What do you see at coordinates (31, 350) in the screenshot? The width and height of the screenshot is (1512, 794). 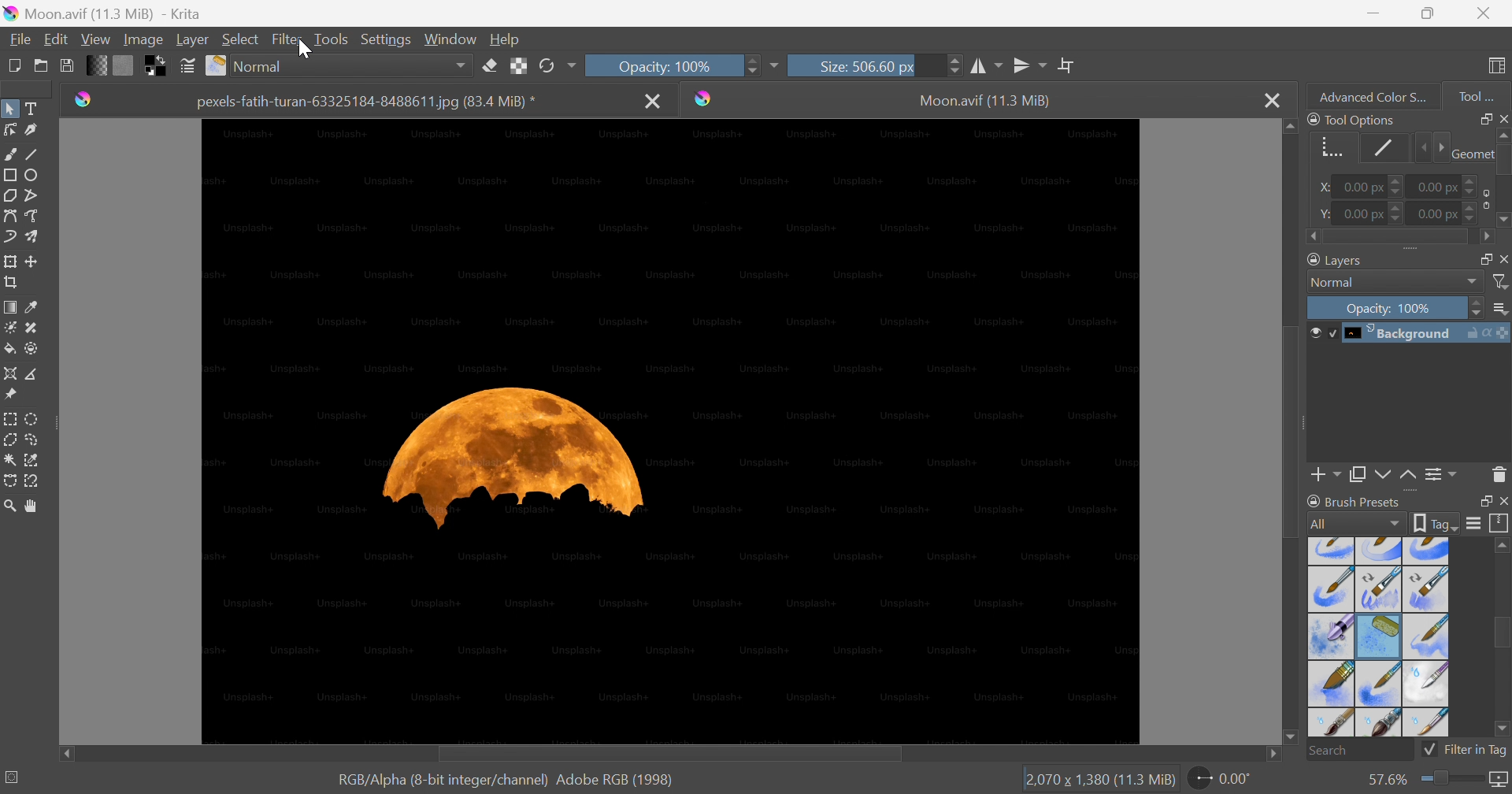 I see `Enclose and fill tool` at bounding box center [31, 350].